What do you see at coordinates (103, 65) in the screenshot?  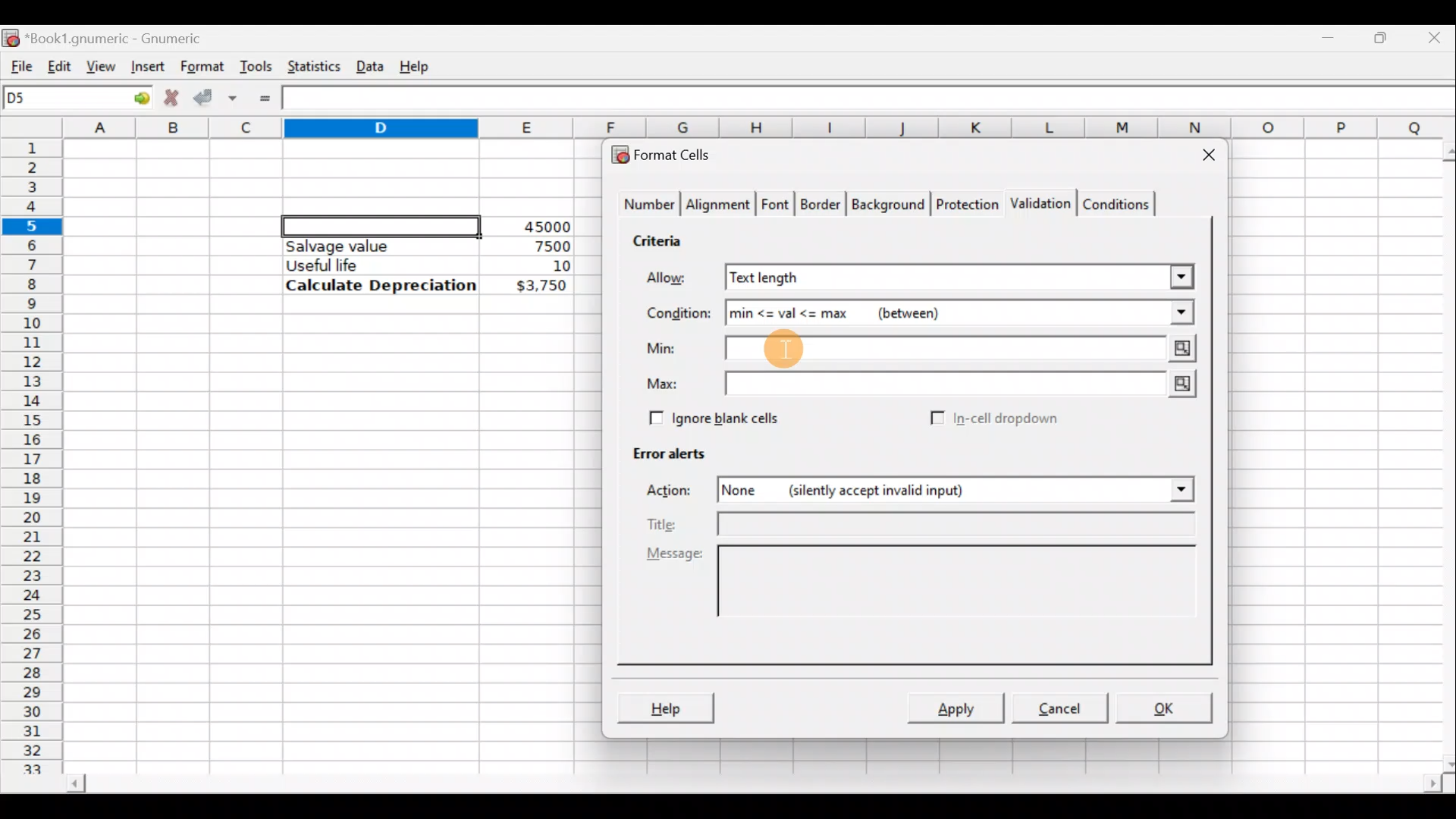 I see `View` at bounding box center [103, 65].